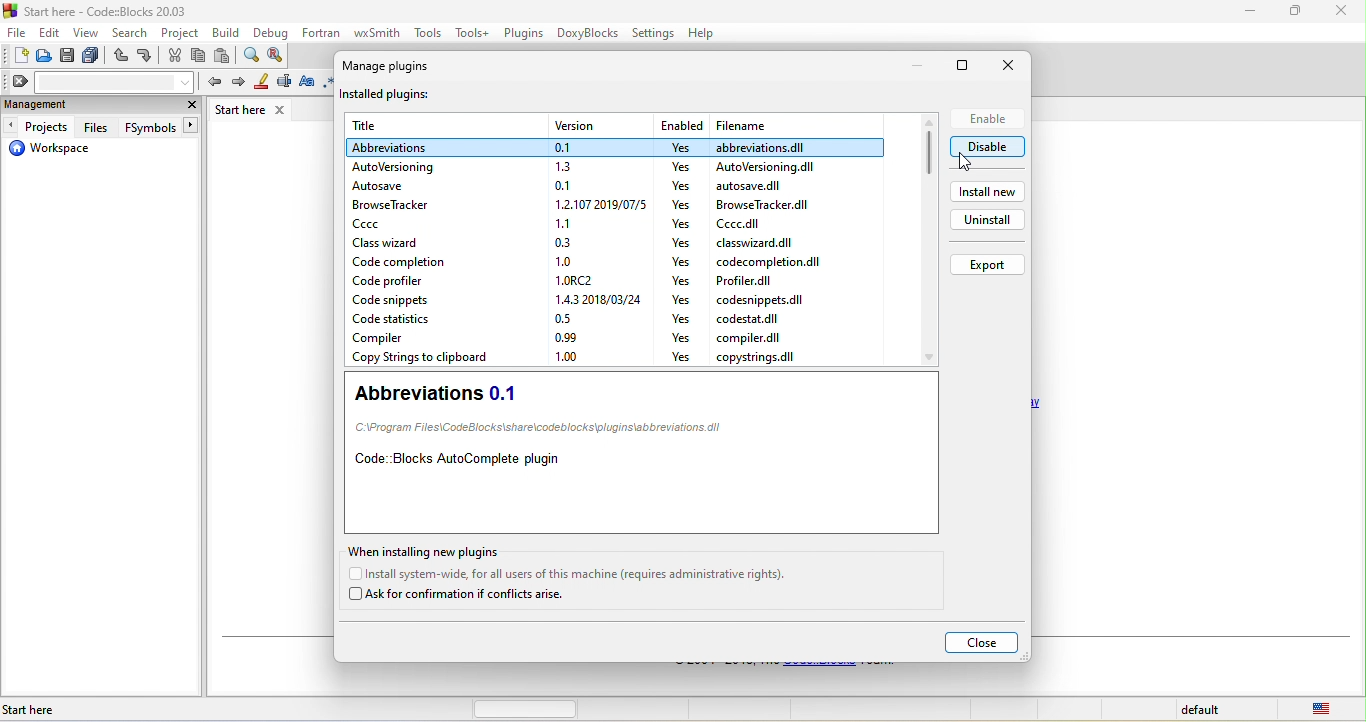 This screenshot has height=722, width=1366. Describe the element at coordinates (397, 280) in the screenshot. I see `code profiler` at that location.